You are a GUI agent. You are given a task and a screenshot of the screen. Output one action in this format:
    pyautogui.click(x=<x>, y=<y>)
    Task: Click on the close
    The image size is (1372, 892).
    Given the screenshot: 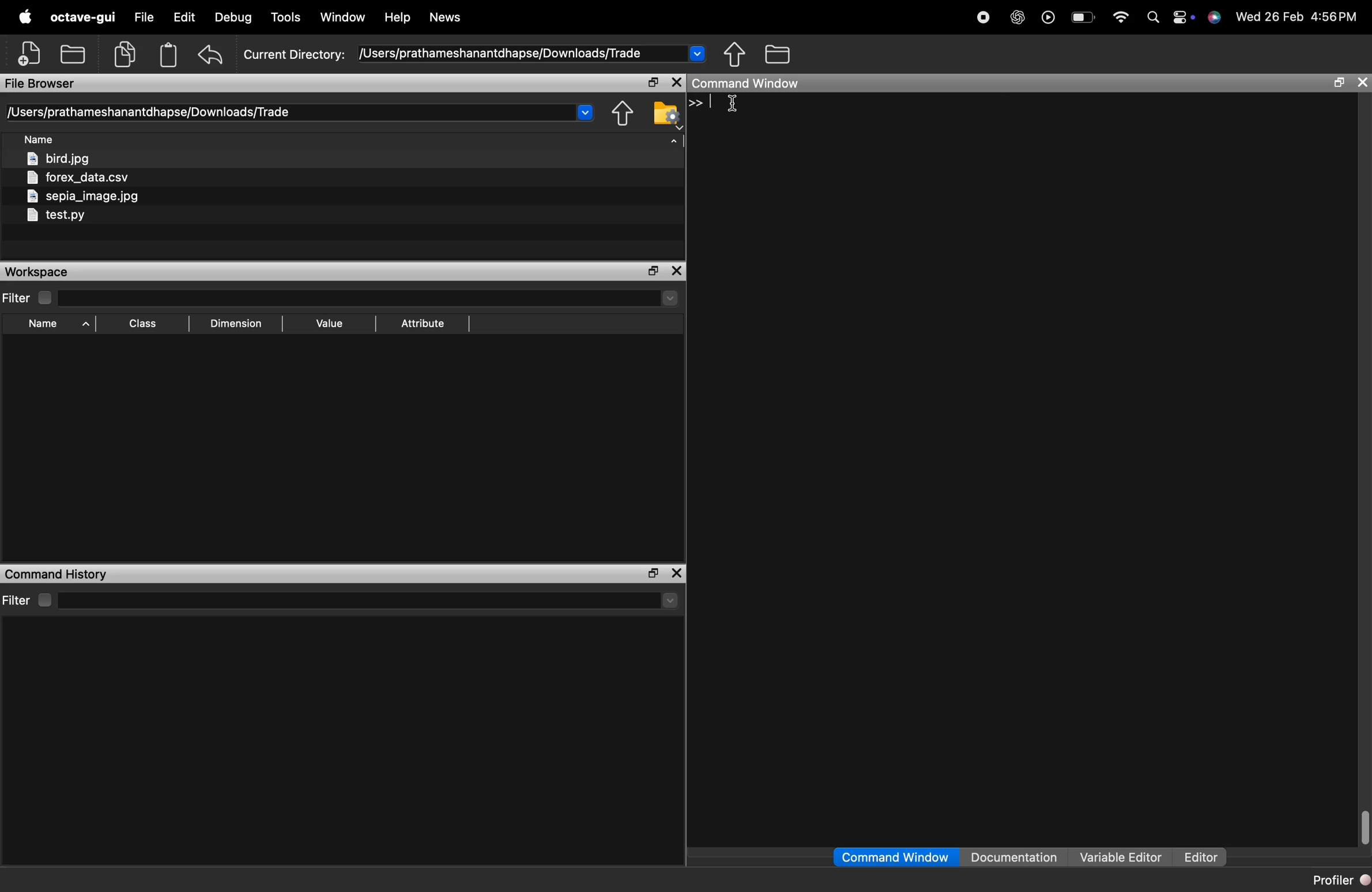 What is the action you would take?
    pyautogui.click(x=678, y=83)
    